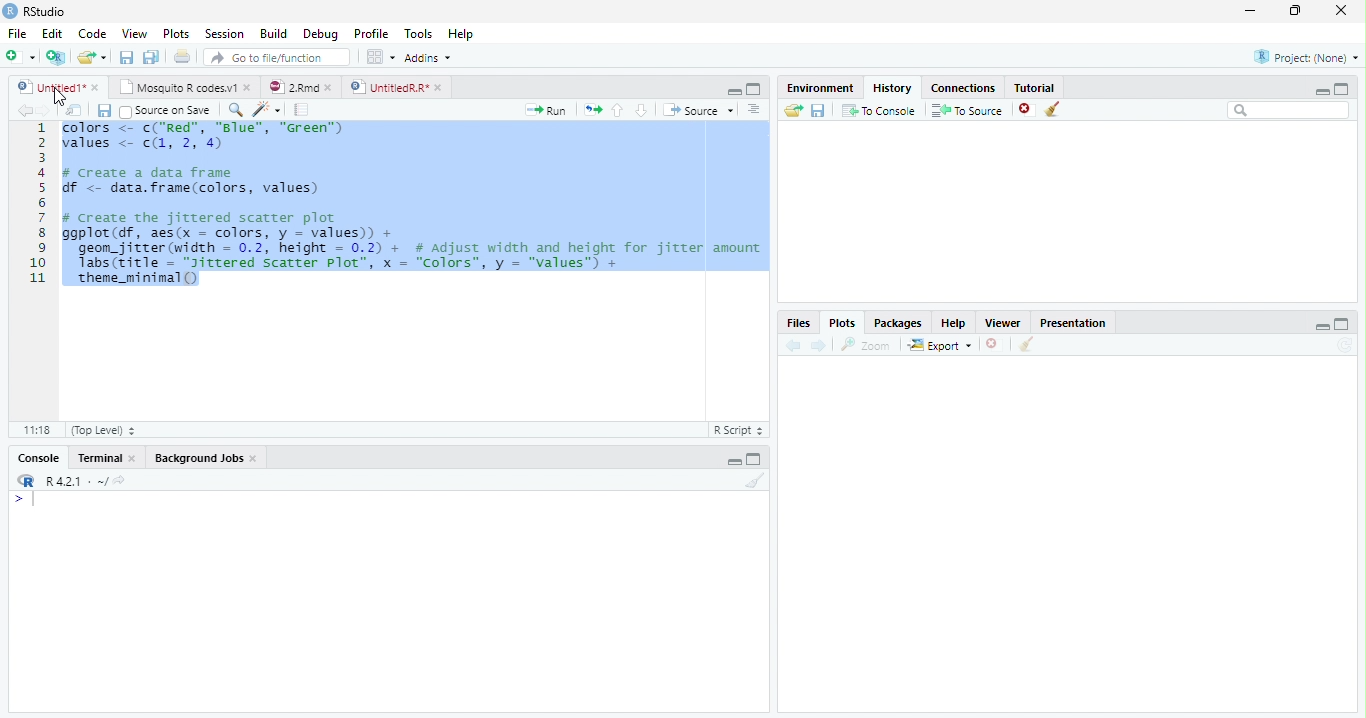  What do you see at coordinates (381, 58) in the screenshot?
I see `Workspace panes` at bounding box center [381, 58].